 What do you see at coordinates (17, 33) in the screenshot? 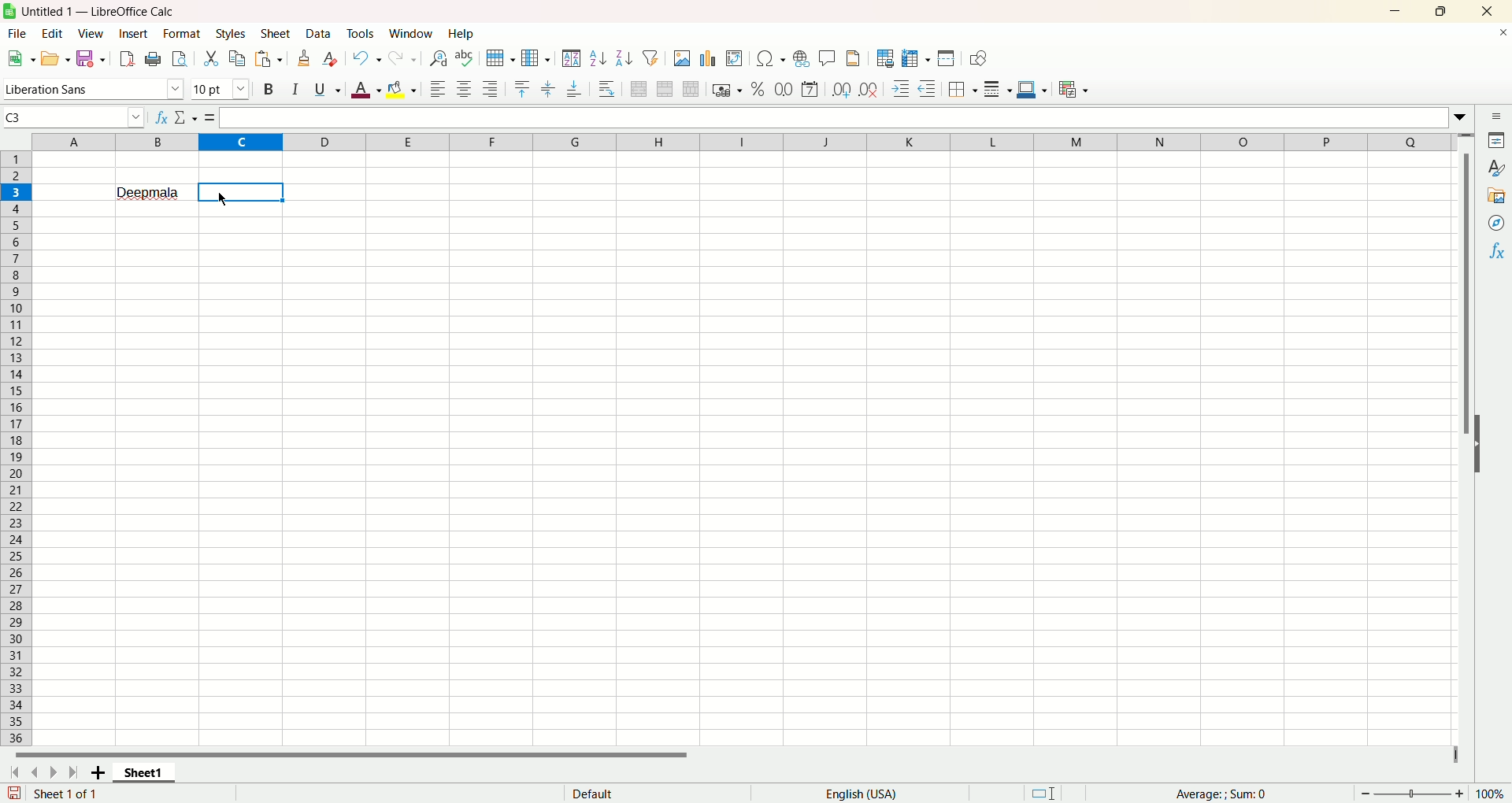
I see `File` at bounding box center [17, 33].